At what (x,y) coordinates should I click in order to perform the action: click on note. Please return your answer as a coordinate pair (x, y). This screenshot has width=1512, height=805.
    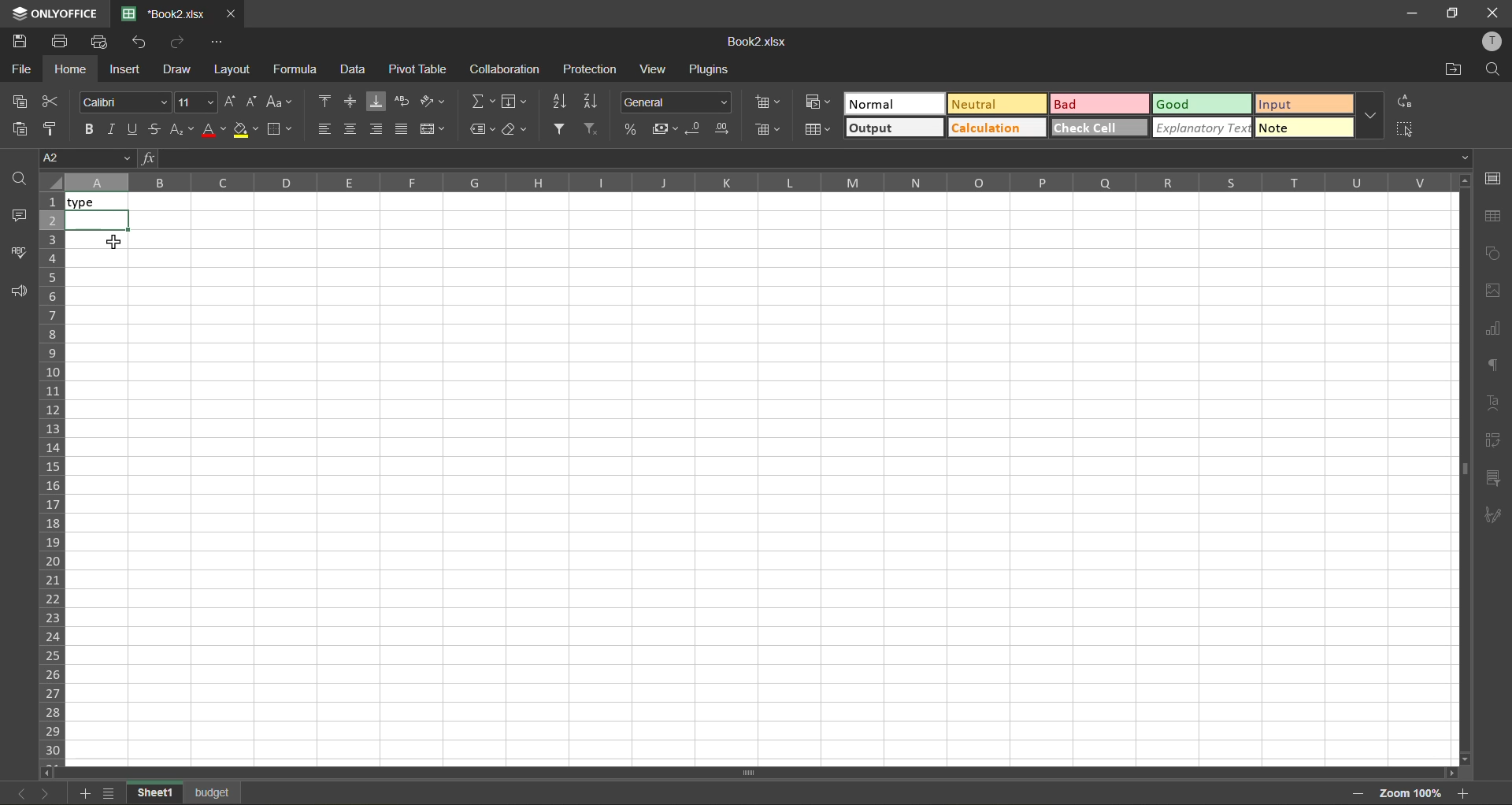
    Looking at the image, I should click on (1300, 128).